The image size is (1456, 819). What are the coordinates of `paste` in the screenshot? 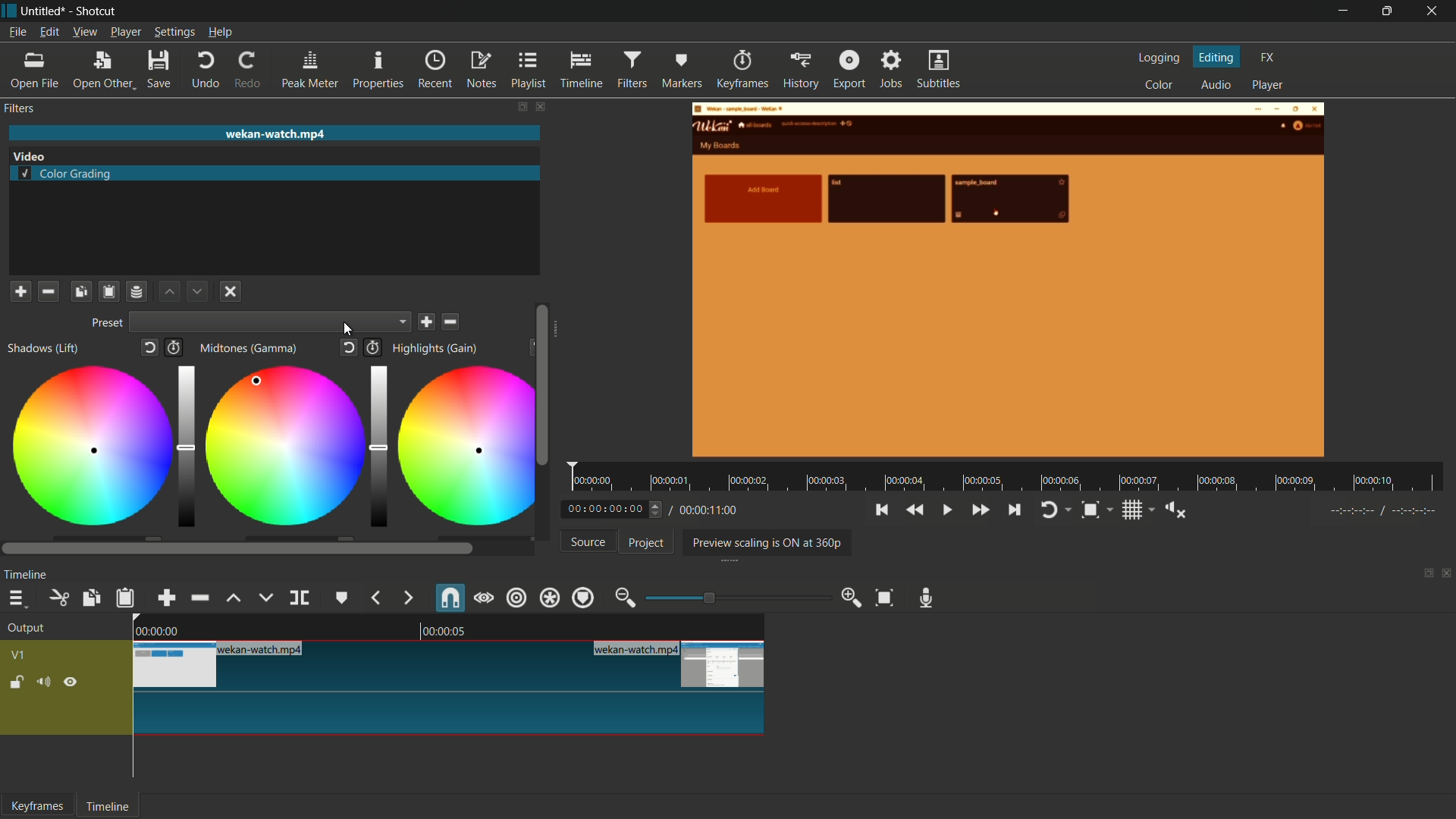 It's located at (126, 599).